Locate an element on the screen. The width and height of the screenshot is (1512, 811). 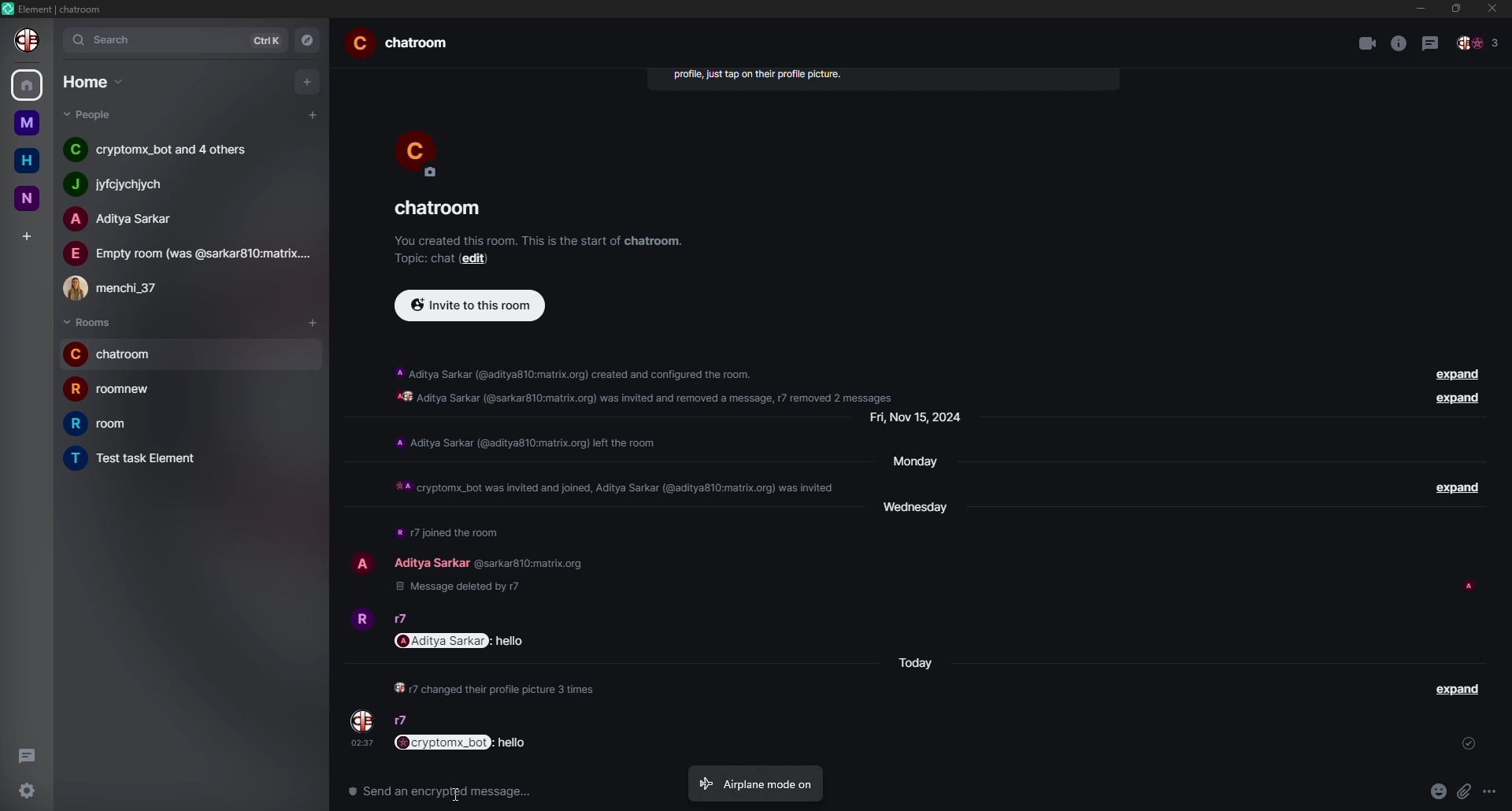
expand is located at coordinates (1461, 488).